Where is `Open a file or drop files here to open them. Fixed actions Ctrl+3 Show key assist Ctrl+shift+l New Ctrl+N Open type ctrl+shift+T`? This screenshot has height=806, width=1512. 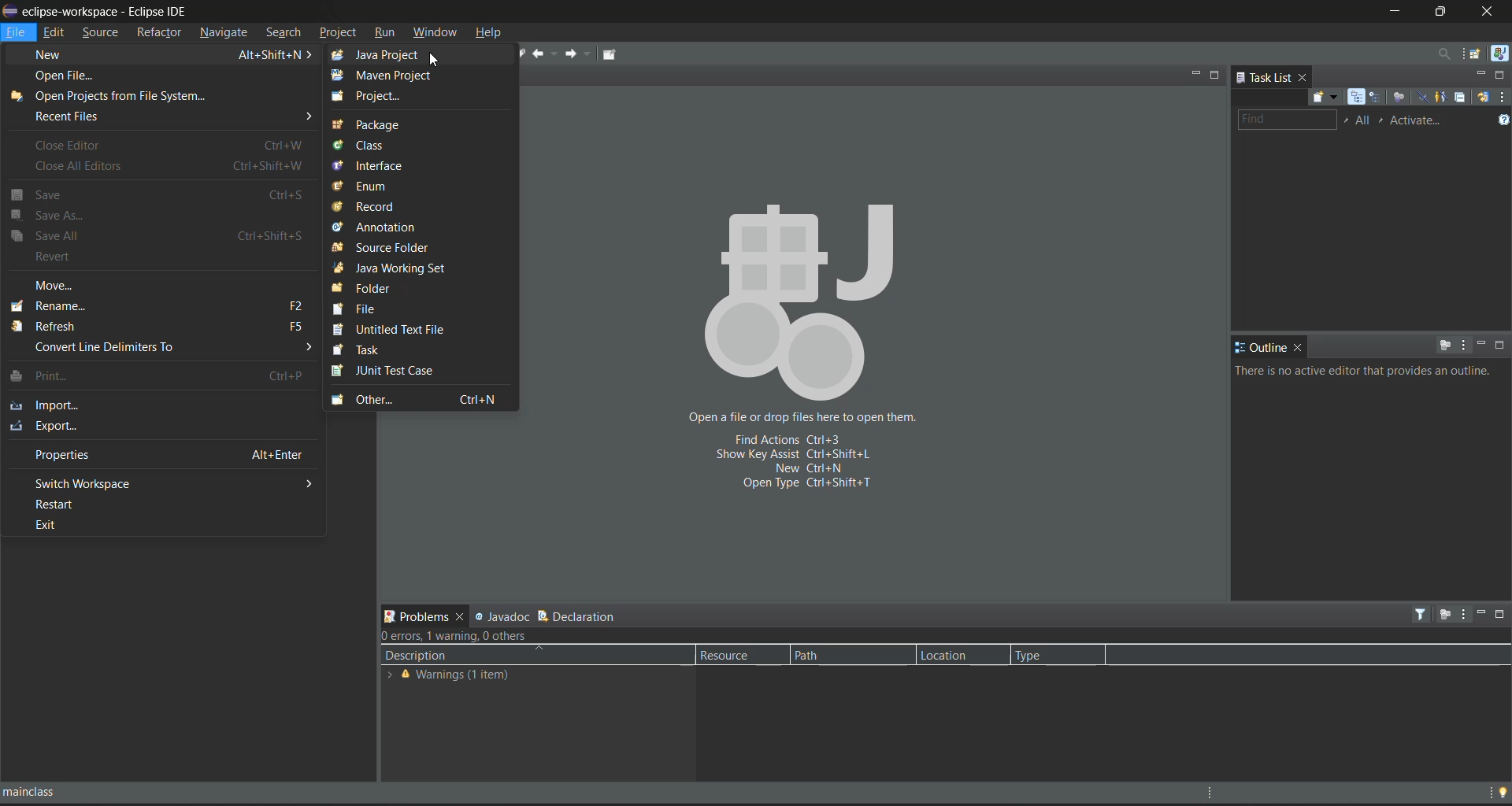 Open a file or drop files here to open them. Fixed actions Ctrl+3 Show key assist Ctrl+shift+l New Ctrl+N Open type ctrl+shift+T is located at coordinates (803, 346).